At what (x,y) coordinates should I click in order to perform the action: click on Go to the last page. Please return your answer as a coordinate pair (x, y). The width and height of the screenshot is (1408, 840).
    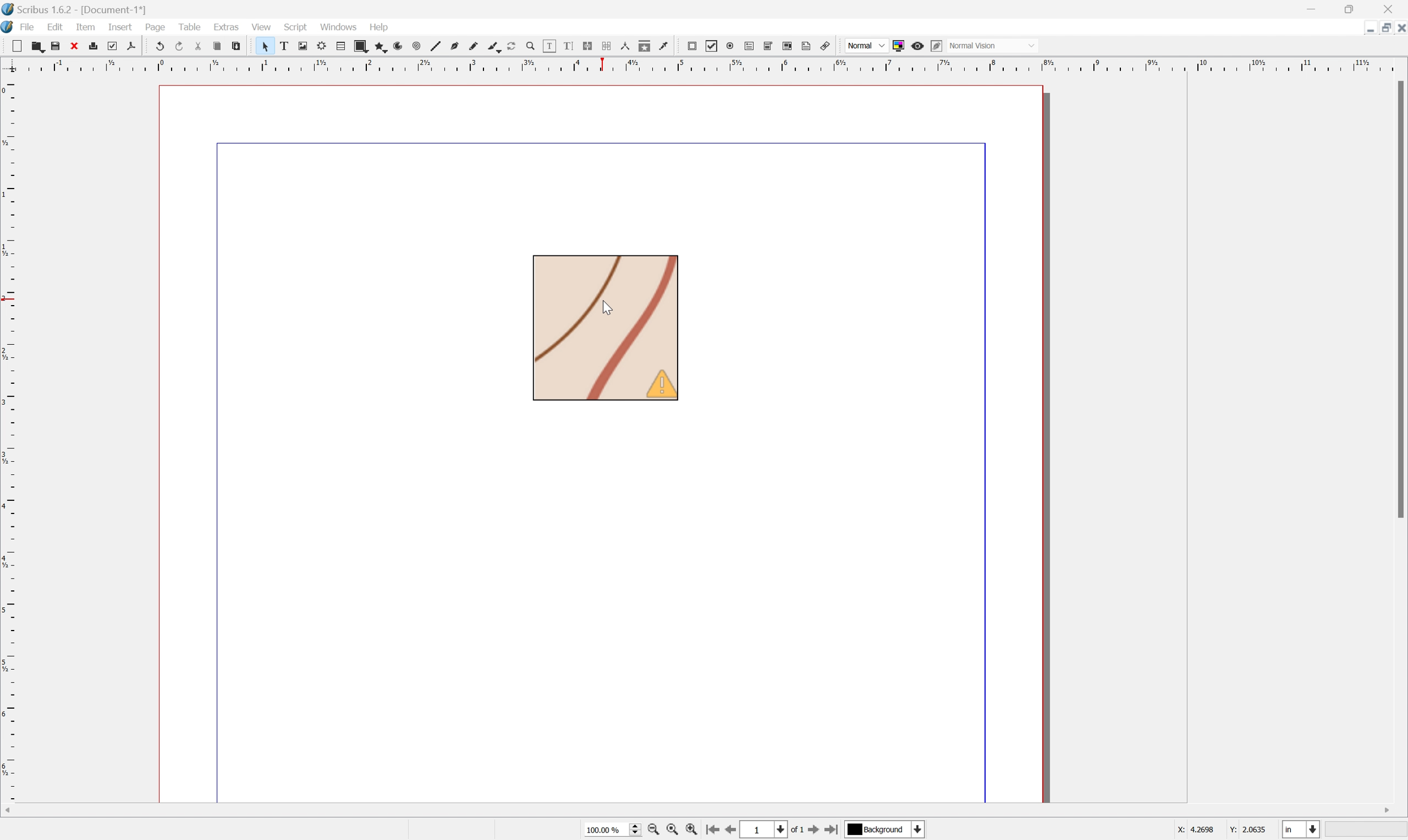
    Looking at the image, I should click on (831, 831).